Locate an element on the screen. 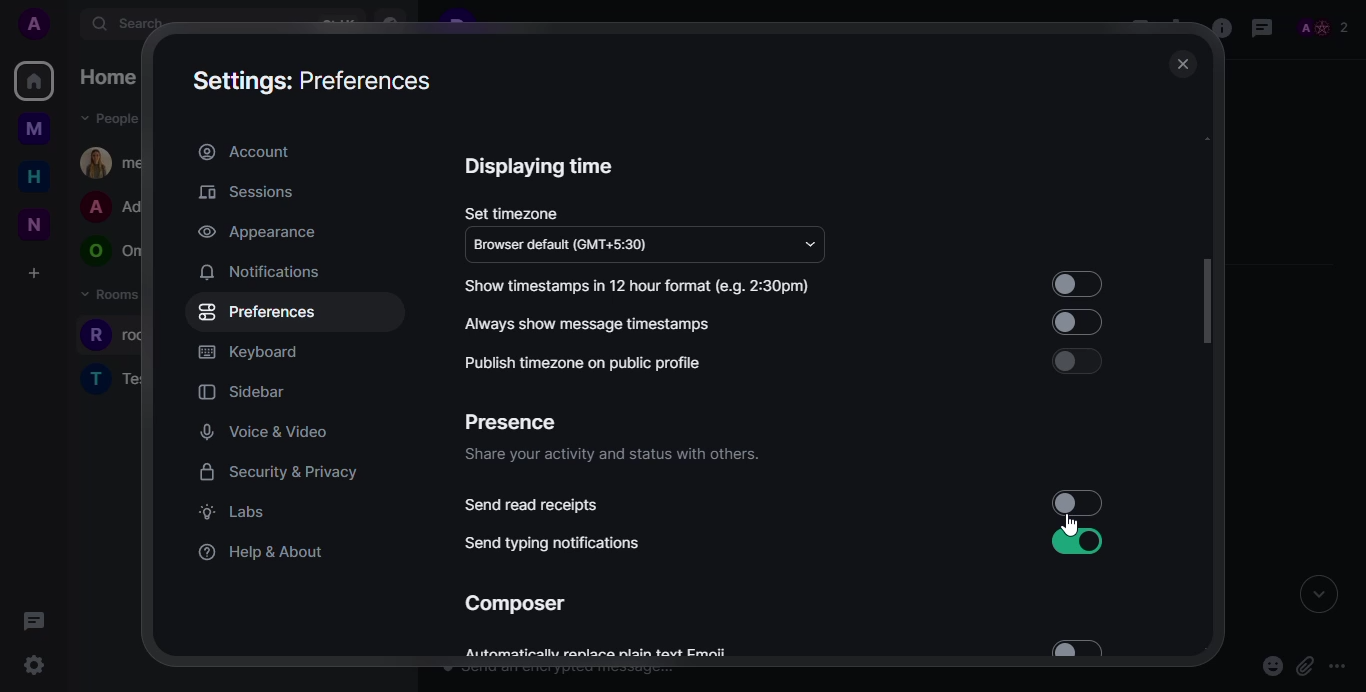 The height and width of the screenshot is (692, 1366). rooms dropdown is located at coordinates (117, 296).